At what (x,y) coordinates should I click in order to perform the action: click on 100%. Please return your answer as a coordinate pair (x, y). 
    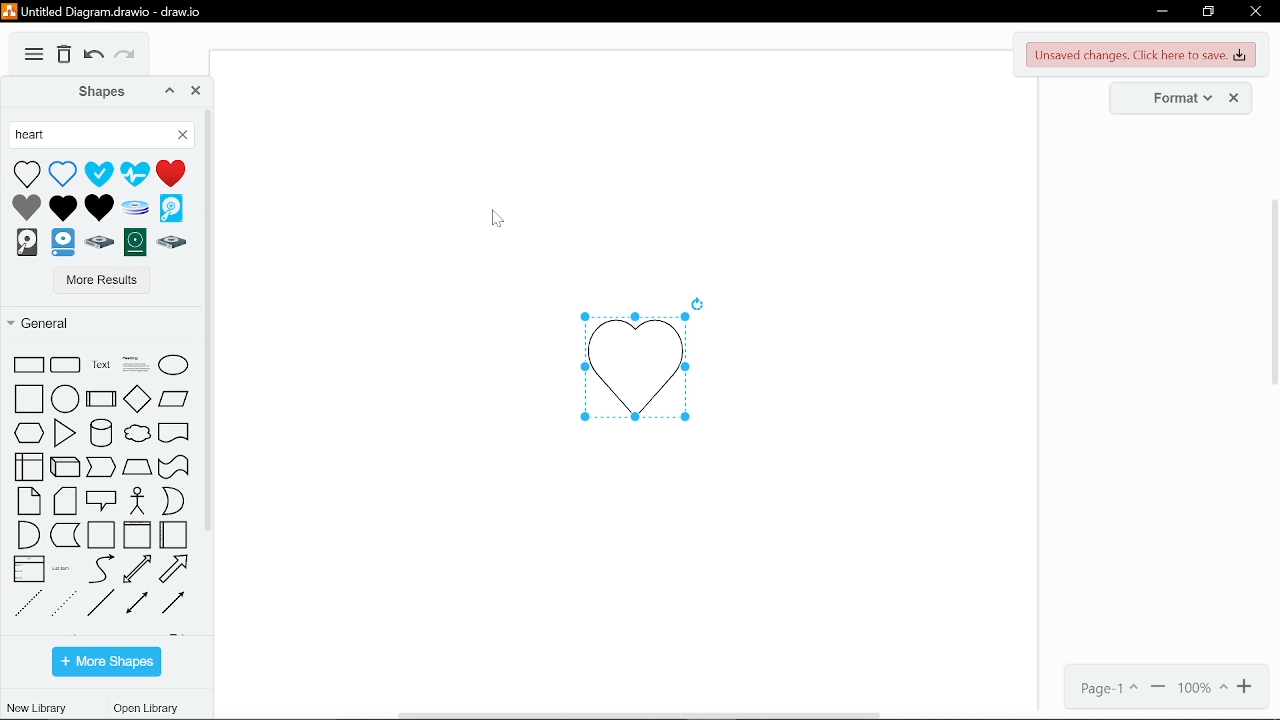
    Looking at the image, I should click on (1203, 688).